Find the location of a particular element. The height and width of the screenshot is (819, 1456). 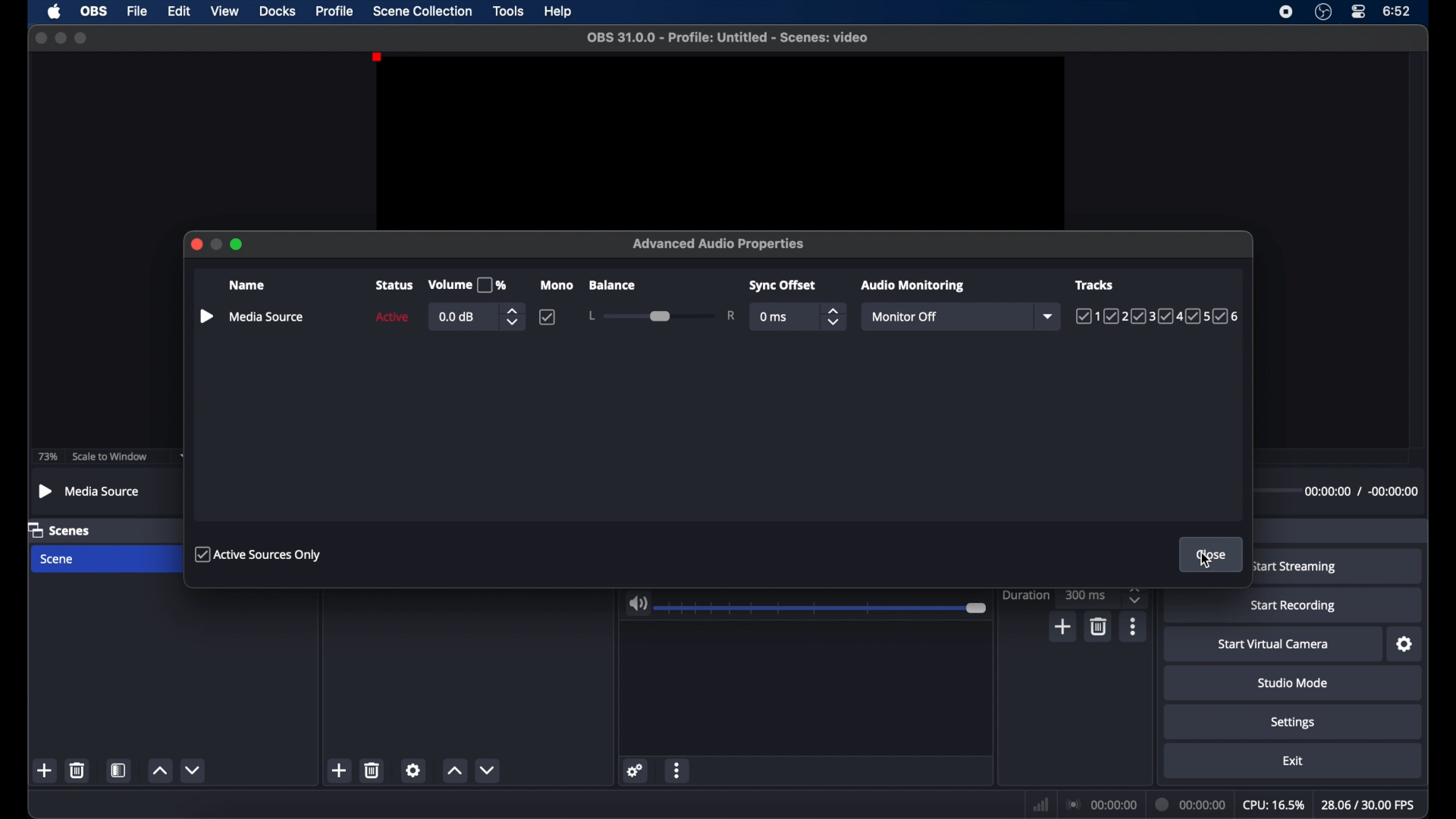

profile is located at coordinates (335, 11).